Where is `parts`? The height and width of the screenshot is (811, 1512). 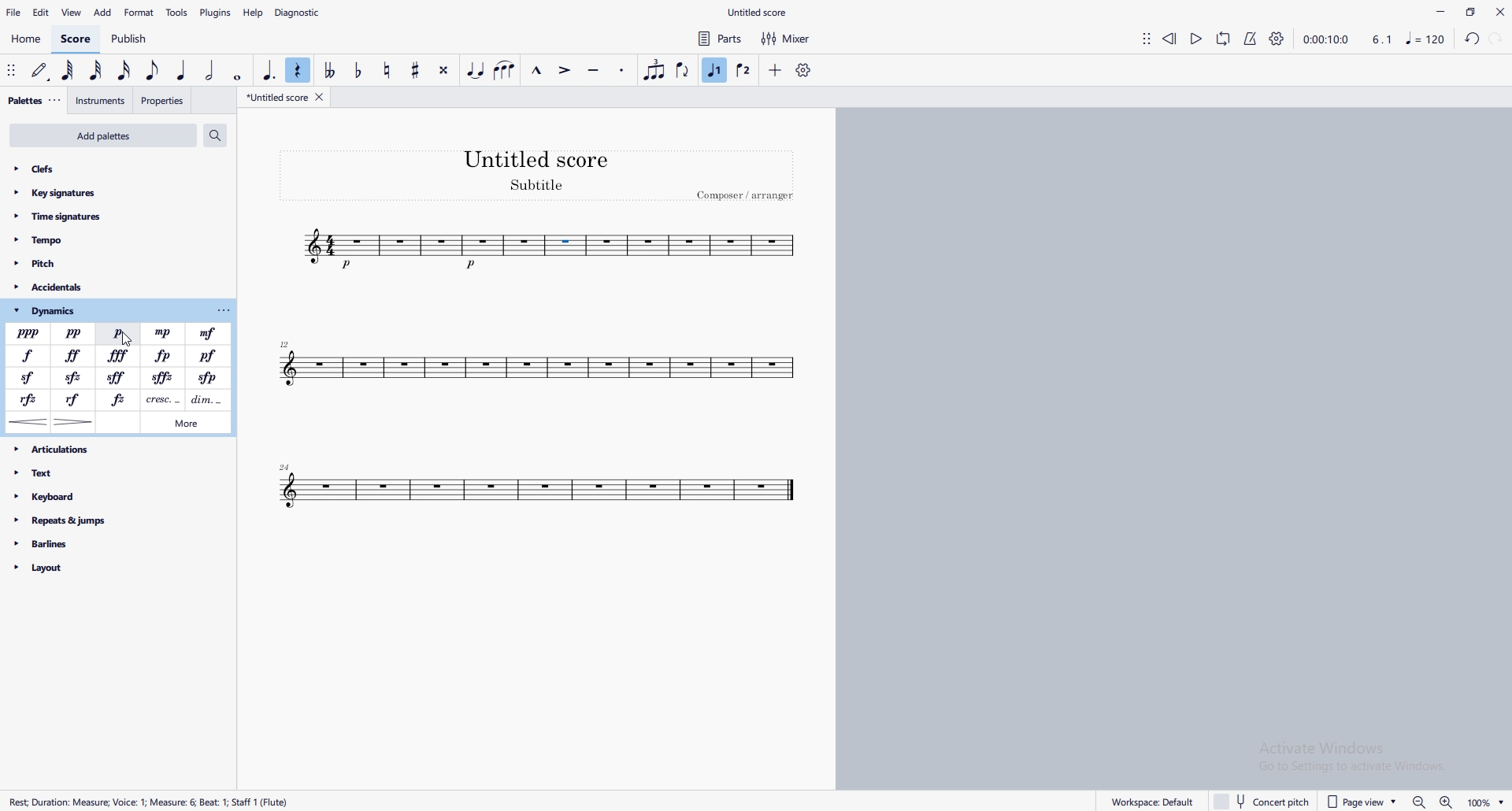
parts is located at coordinates (722, 39).